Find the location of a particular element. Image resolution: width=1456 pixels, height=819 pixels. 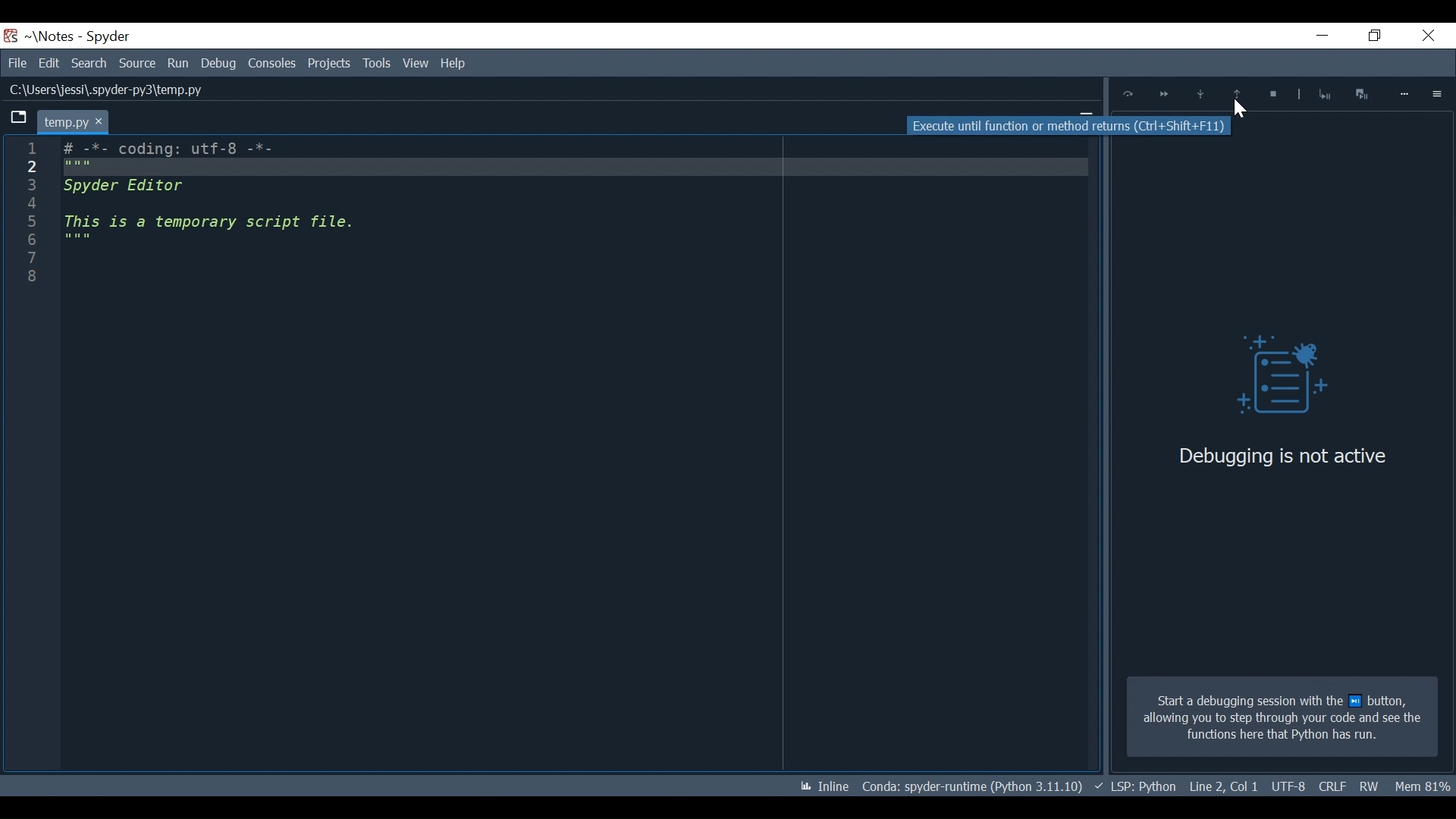

Close is located at coordinates (1425, 37).